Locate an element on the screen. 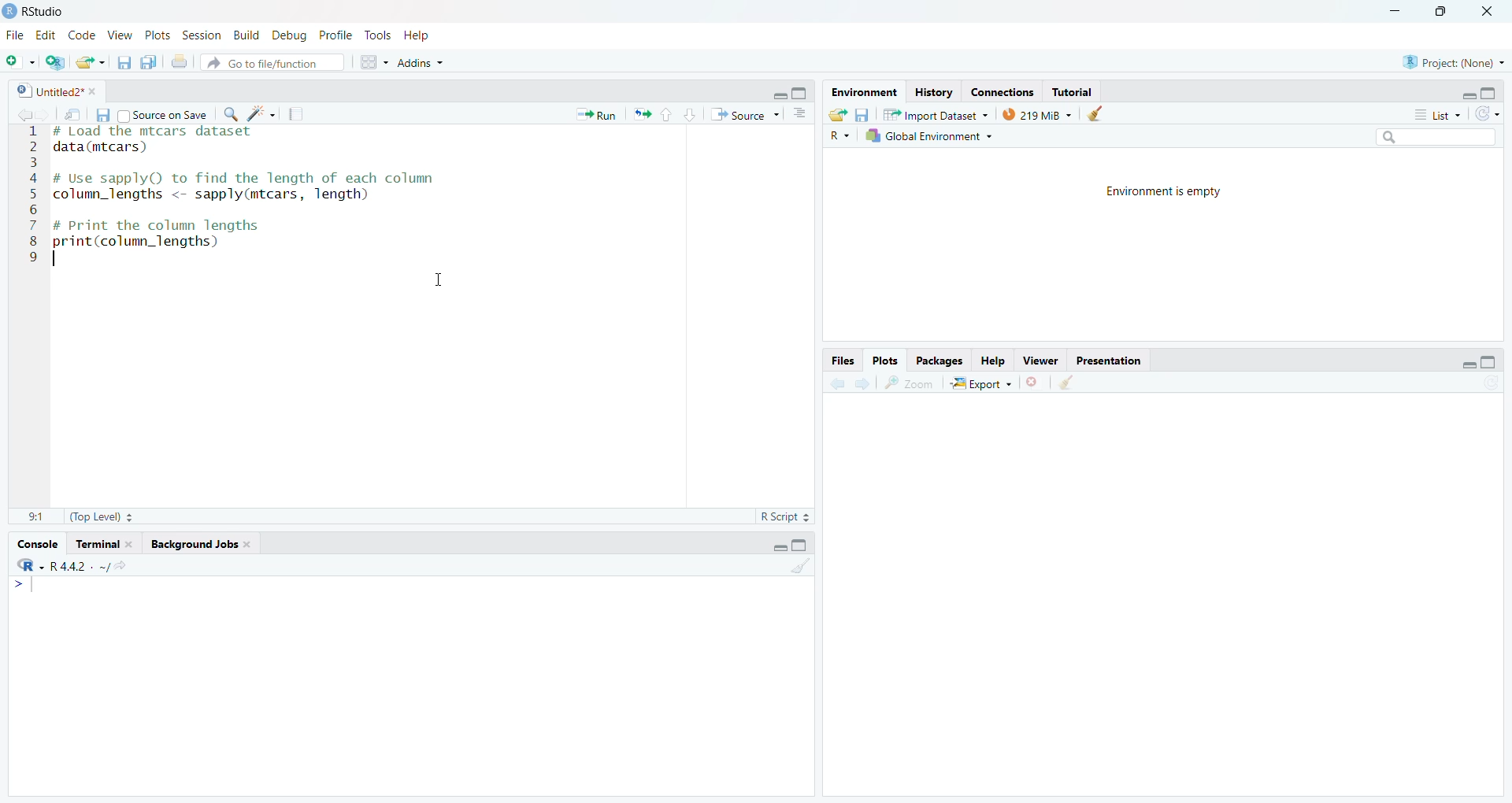  Code Editor is located at coordinates (428, 316).